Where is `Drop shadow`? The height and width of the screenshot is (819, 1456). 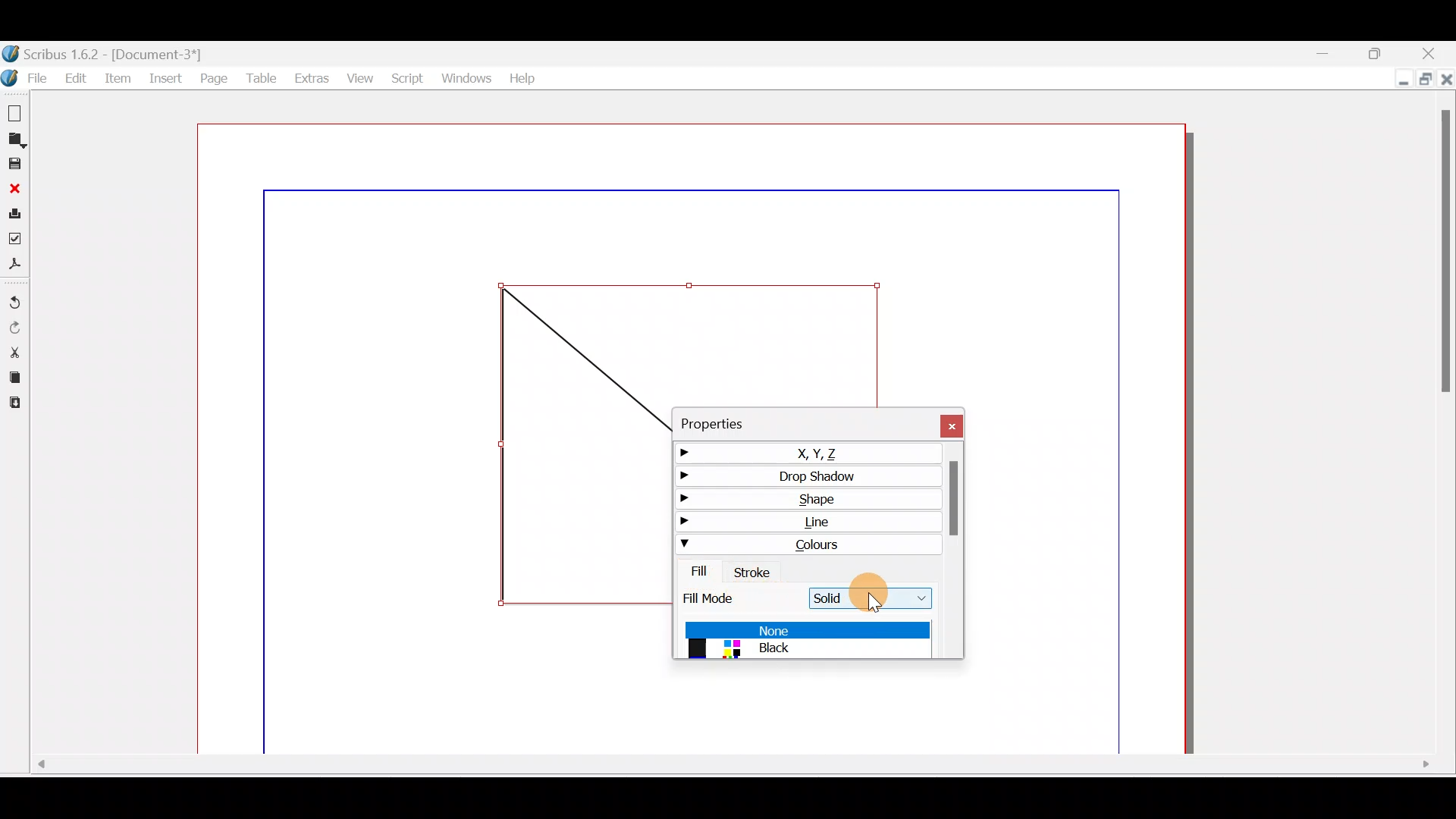
Drop shadow is located at coordinates (803, 475).